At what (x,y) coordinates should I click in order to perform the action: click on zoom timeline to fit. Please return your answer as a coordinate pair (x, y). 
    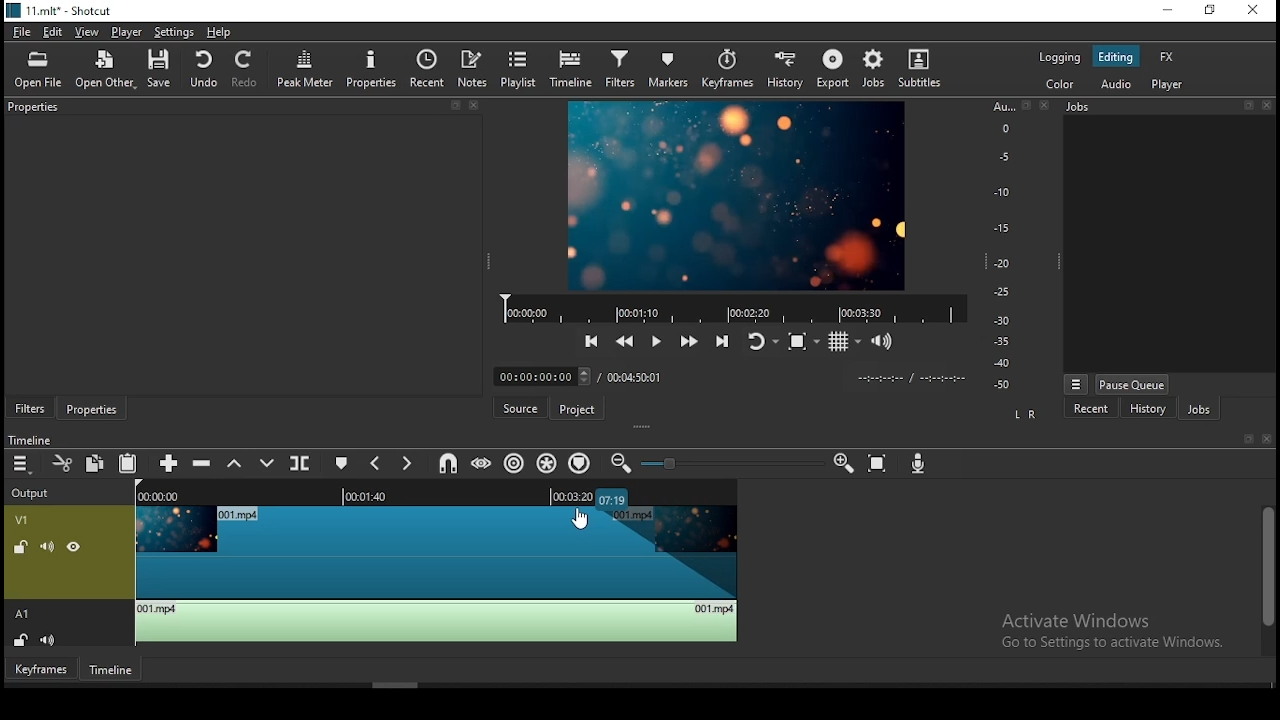
    Looking at the image, I should click on (878, 464).